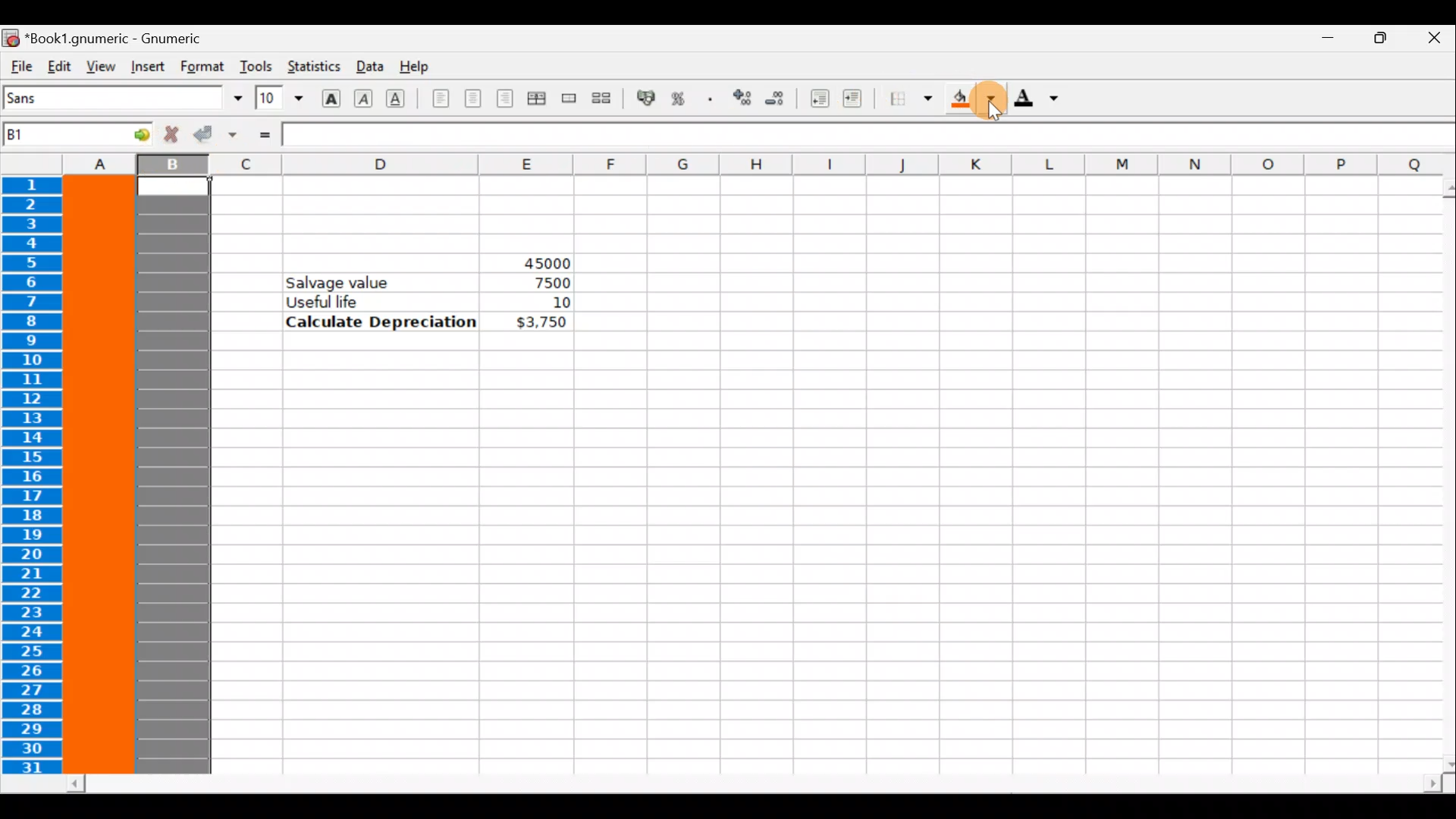 Image resolution: width=1456 pixels, height=819 pixels. Describe the element at coordinates (264, 134) in the screenshot. I see `Enter formula` at that location.